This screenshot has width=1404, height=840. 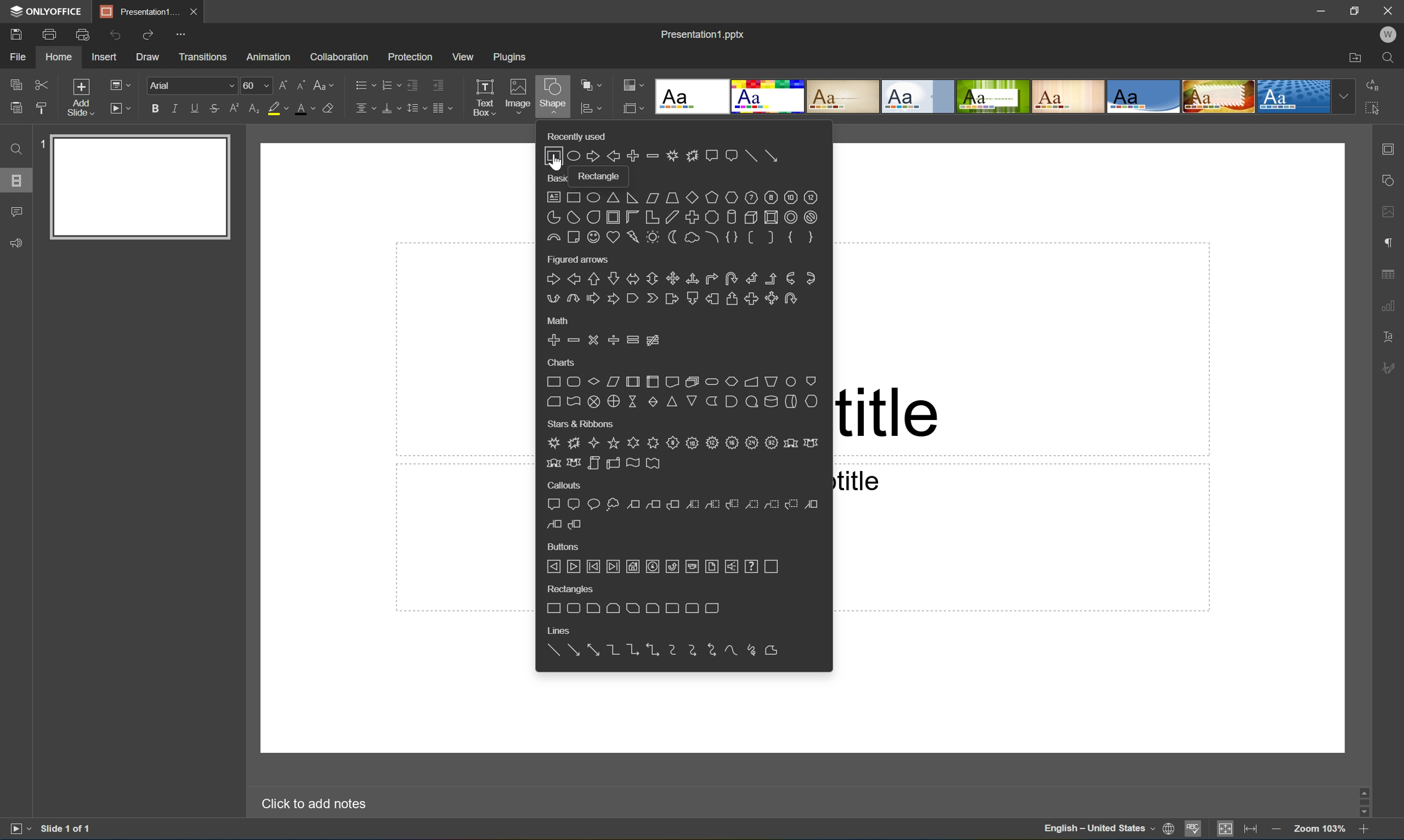 I want to click on Select all, so click(x=1373, y=112).